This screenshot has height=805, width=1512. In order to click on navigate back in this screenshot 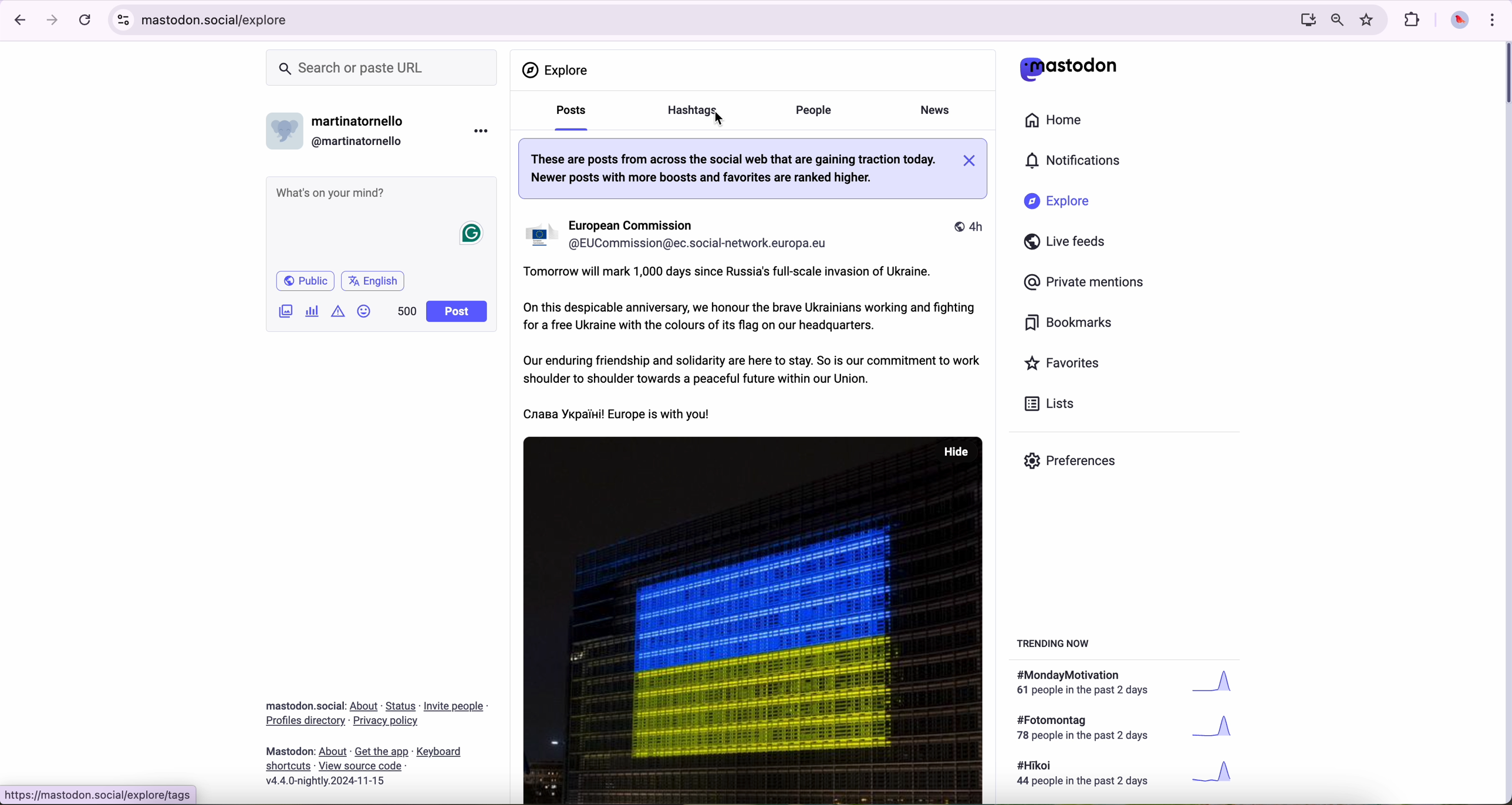, I will do `click(18, 21)`.